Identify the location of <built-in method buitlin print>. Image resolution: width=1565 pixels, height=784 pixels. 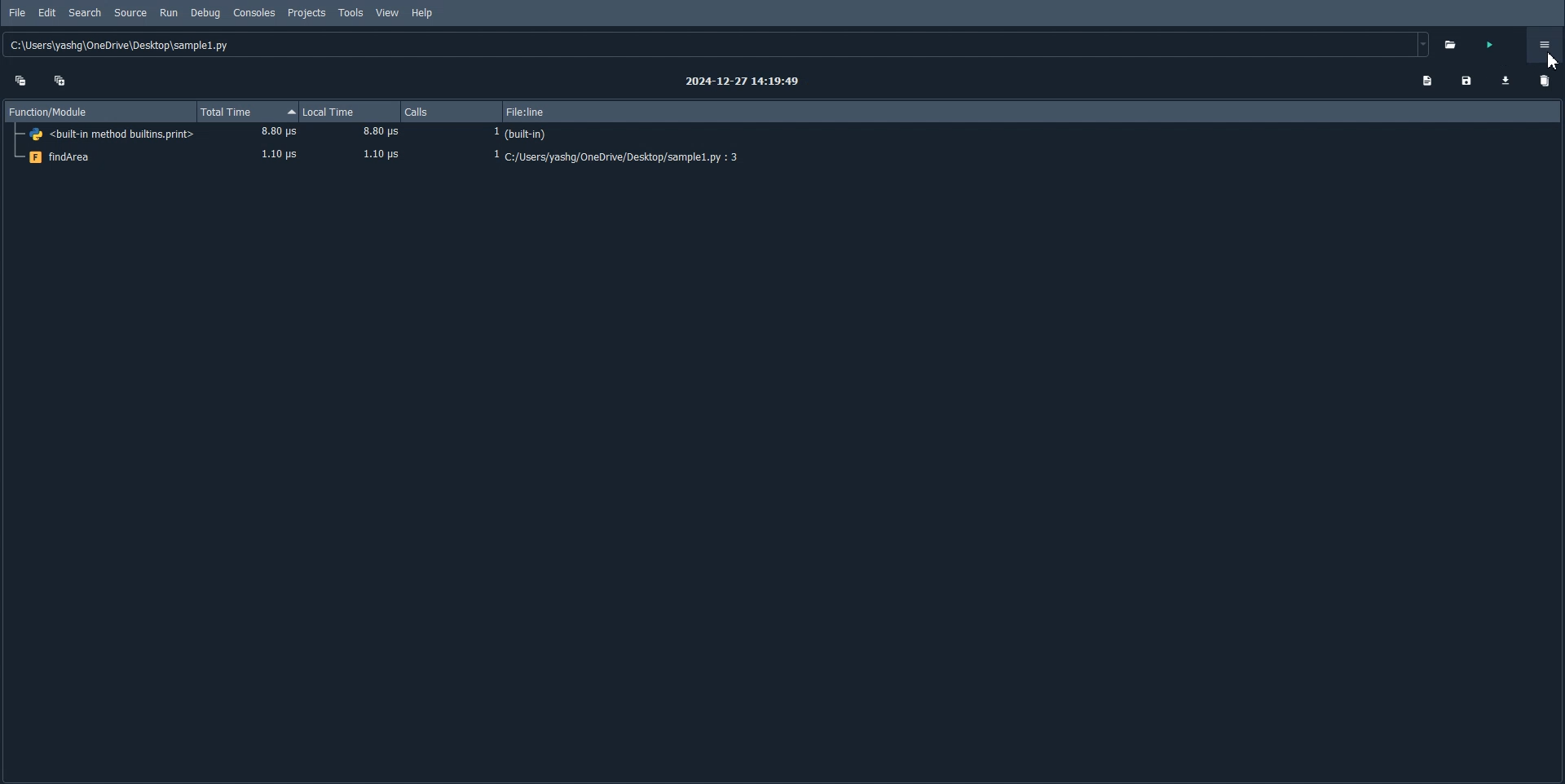
(782, 134).